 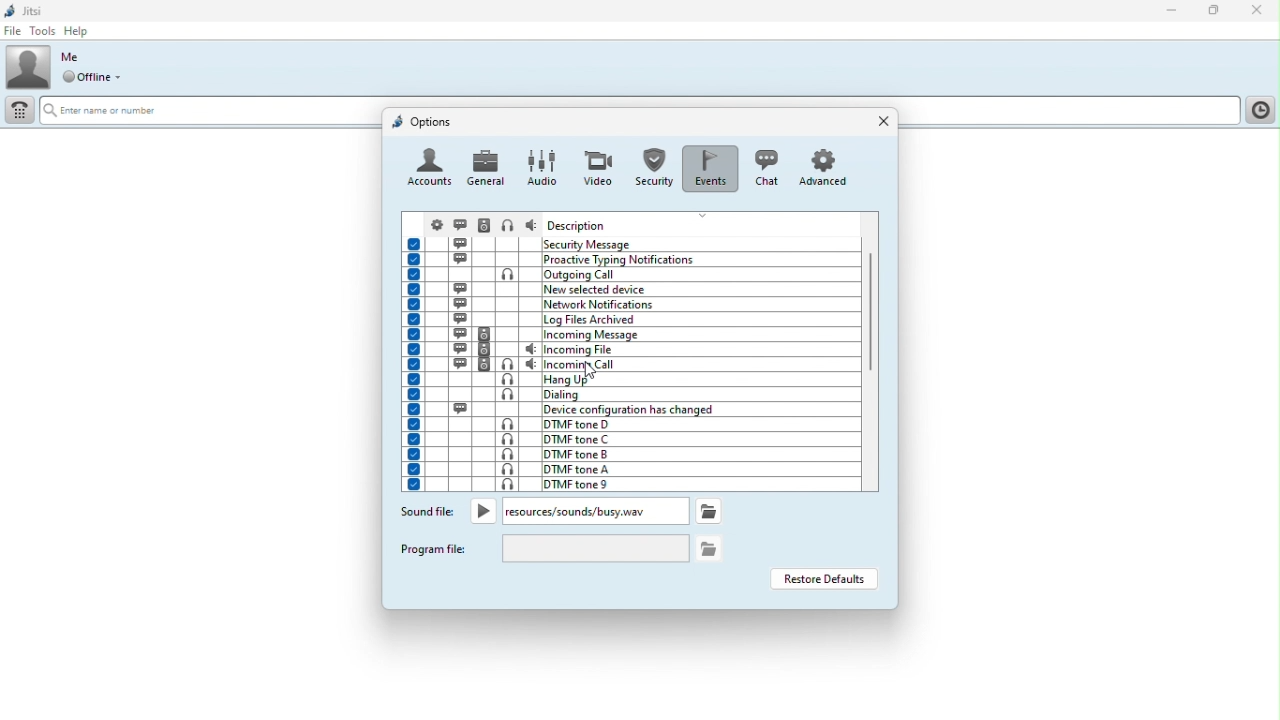 I want to click on device configuration has changed, so click(x=632, y=408).